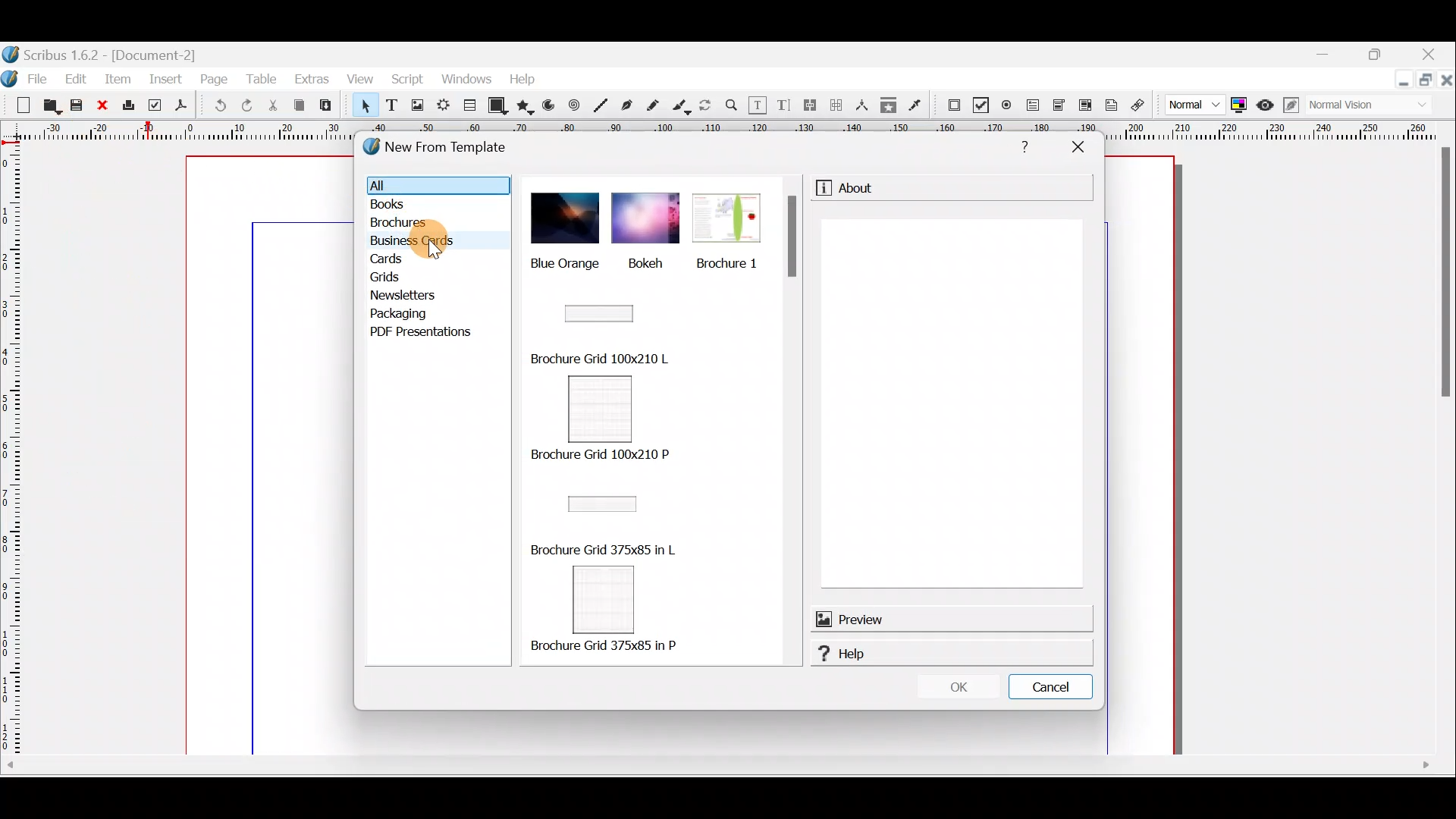 The height and width of the screenshot is (819, 1456). I want to click on PDF radio button, so click(1007, 104).